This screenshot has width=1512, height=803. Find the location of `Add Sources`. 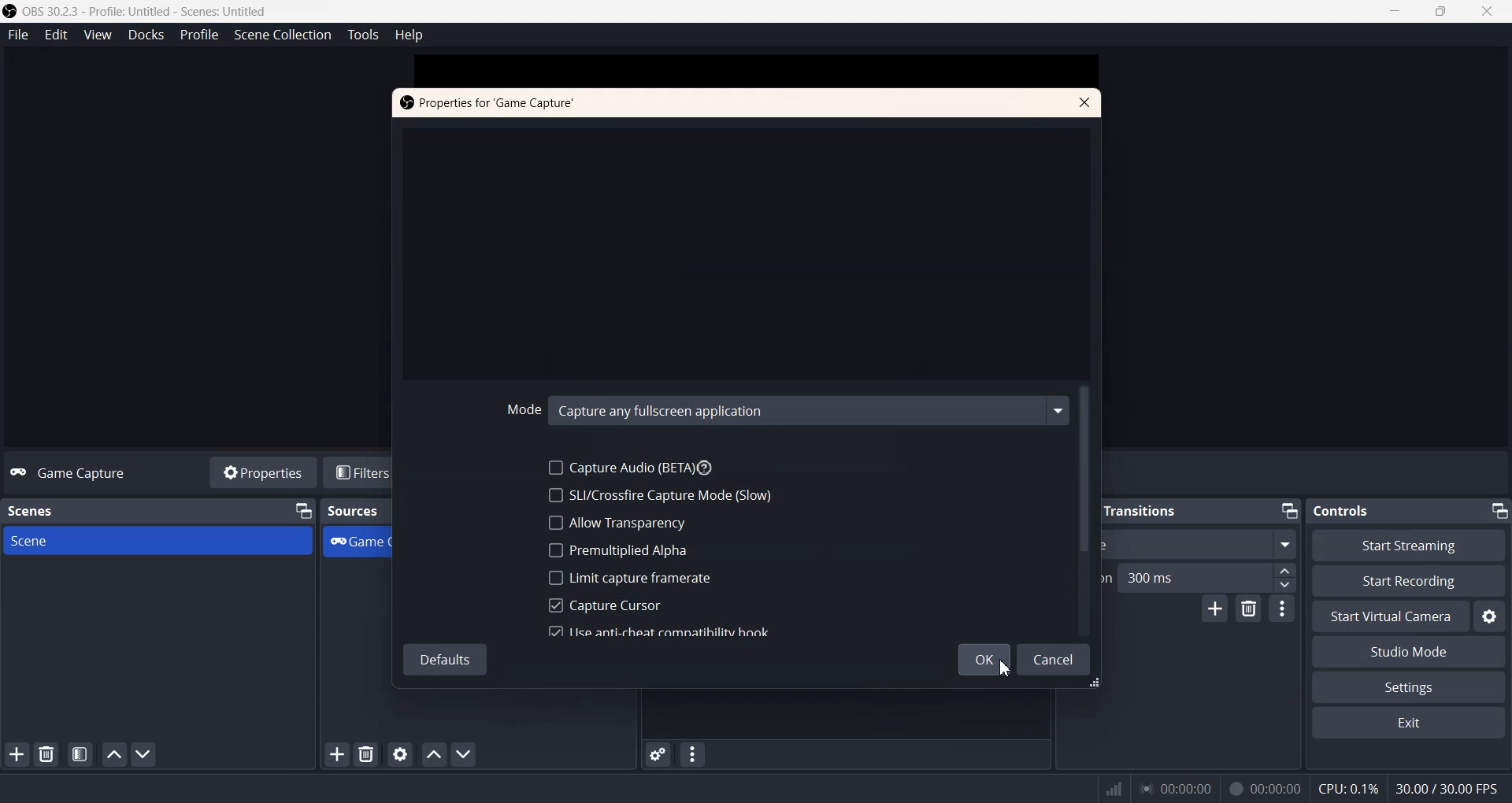

Add Sources is located at coordinates (336, 756).